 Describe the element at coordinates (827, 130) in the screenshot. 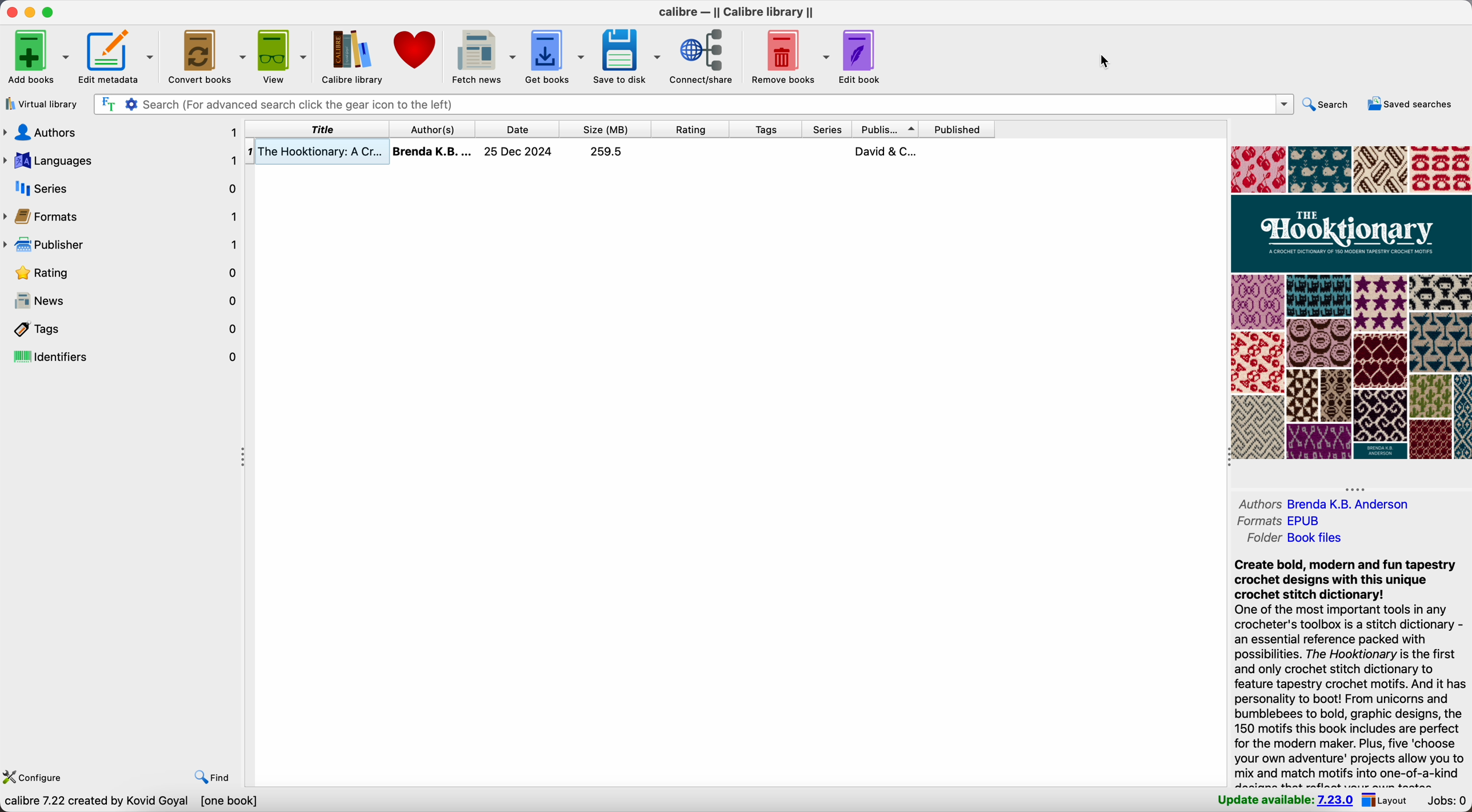

I see `series` at that location.